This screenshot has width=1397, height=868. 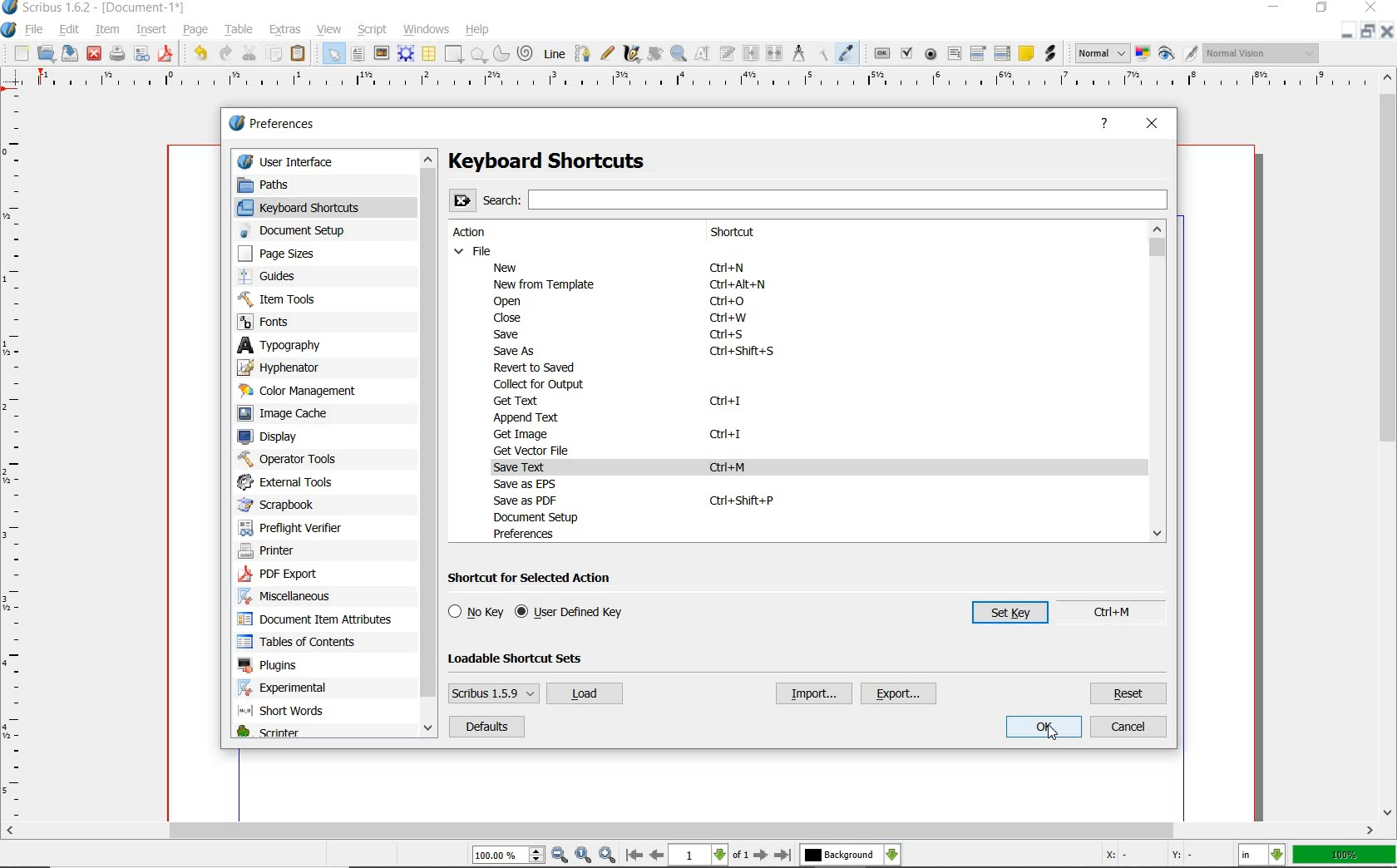 I want to click on paths, so click(x=283, y=184).